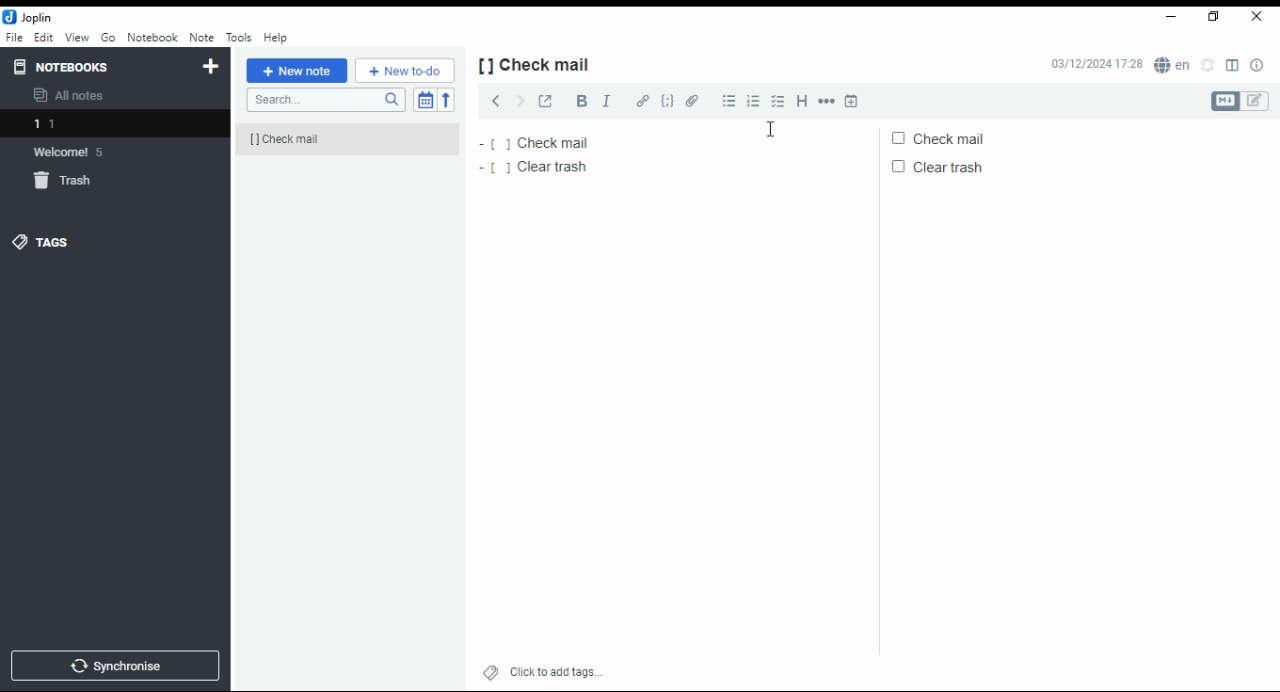 The image size is (1280, 692). What do you see at coordinates (78, 38) in the screenshot?
I see `view` at bounding box center [78, 38].